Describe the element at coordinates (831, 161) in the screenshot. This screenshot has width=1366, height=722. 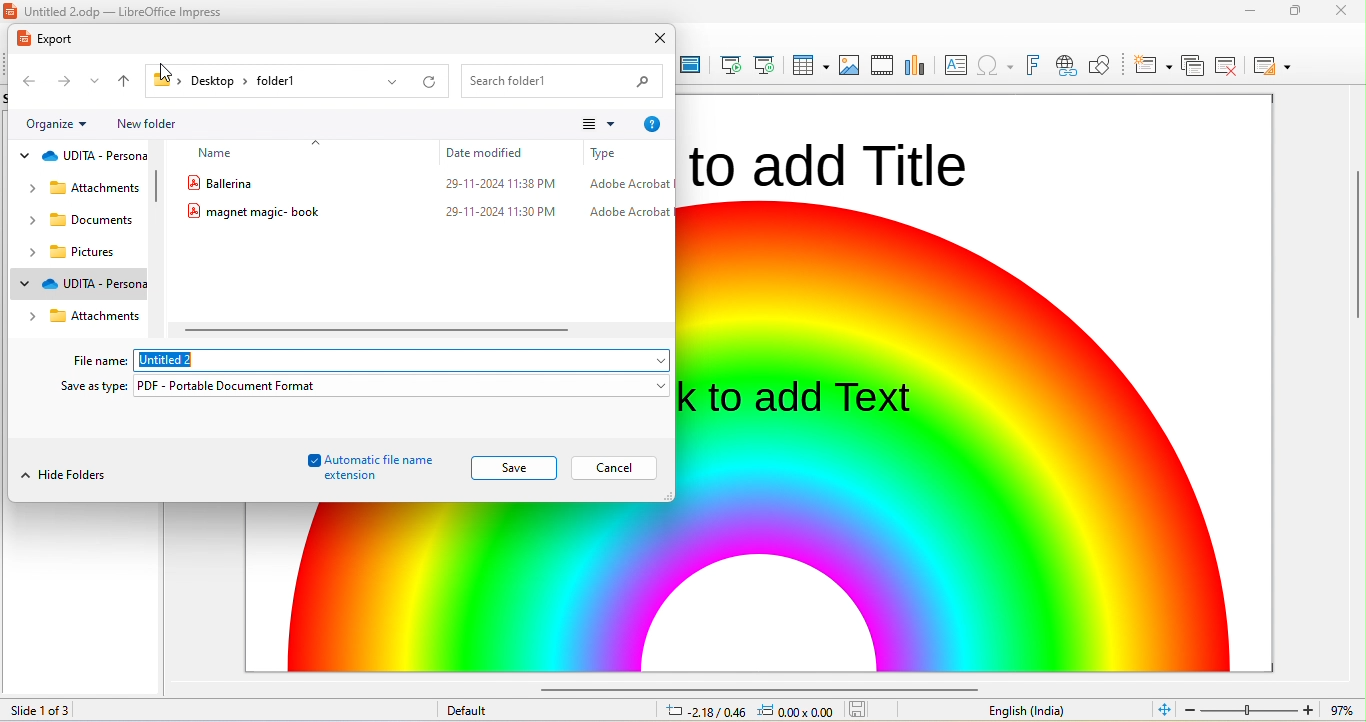
I see `click to add title` at that location.